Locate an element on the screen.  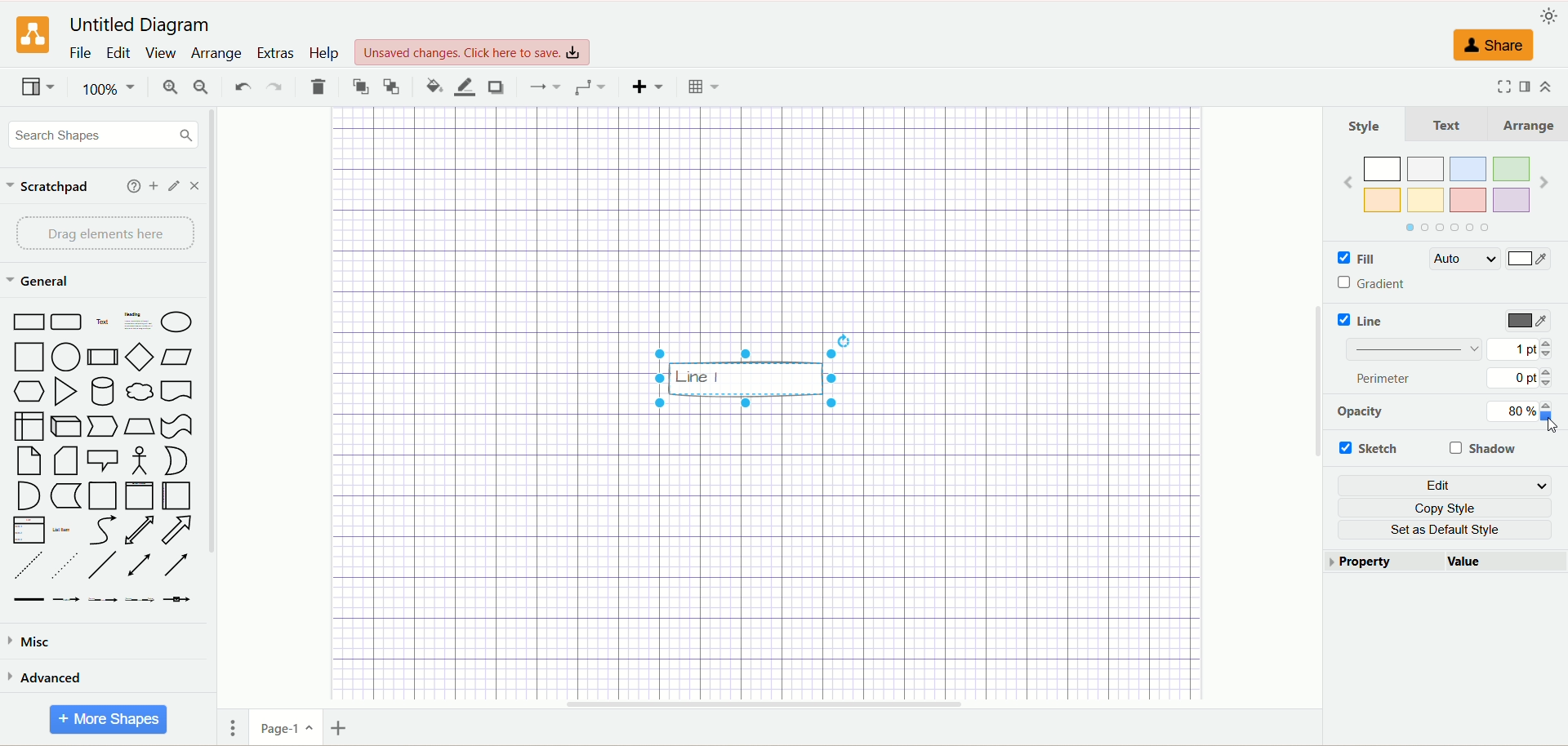
Rectangle is located at coordinates (27, 322).